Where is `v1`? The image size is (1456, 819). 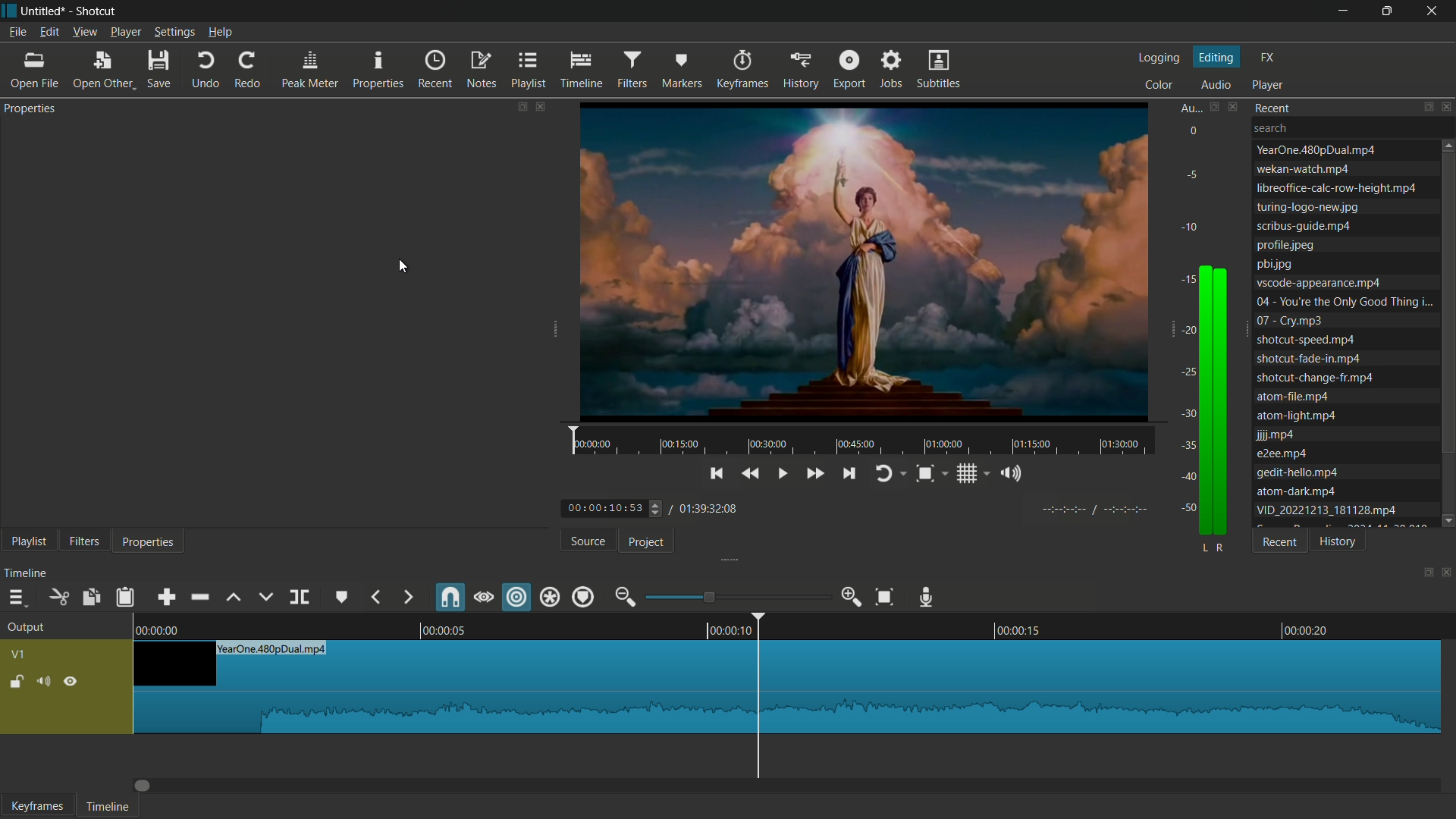 v1 is located at coordinates (17, 656).